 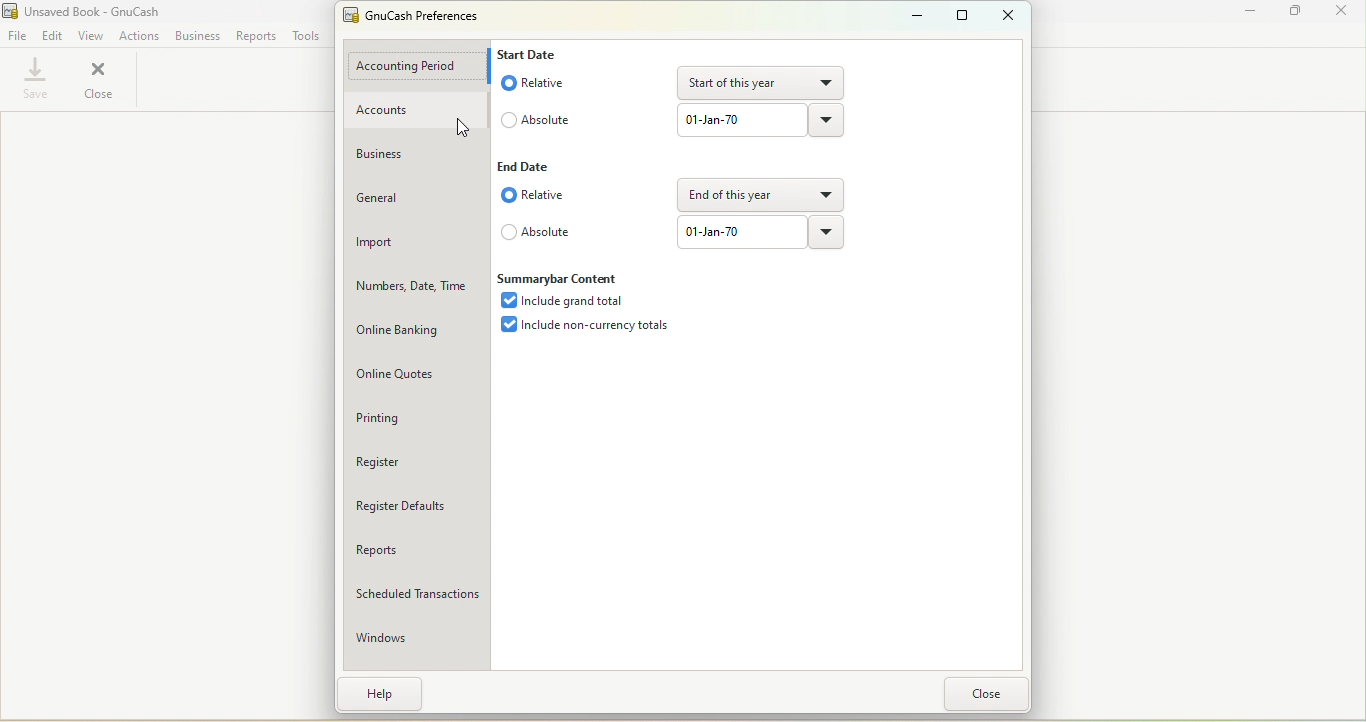 I want to click on General, so click(x=419, y=194).